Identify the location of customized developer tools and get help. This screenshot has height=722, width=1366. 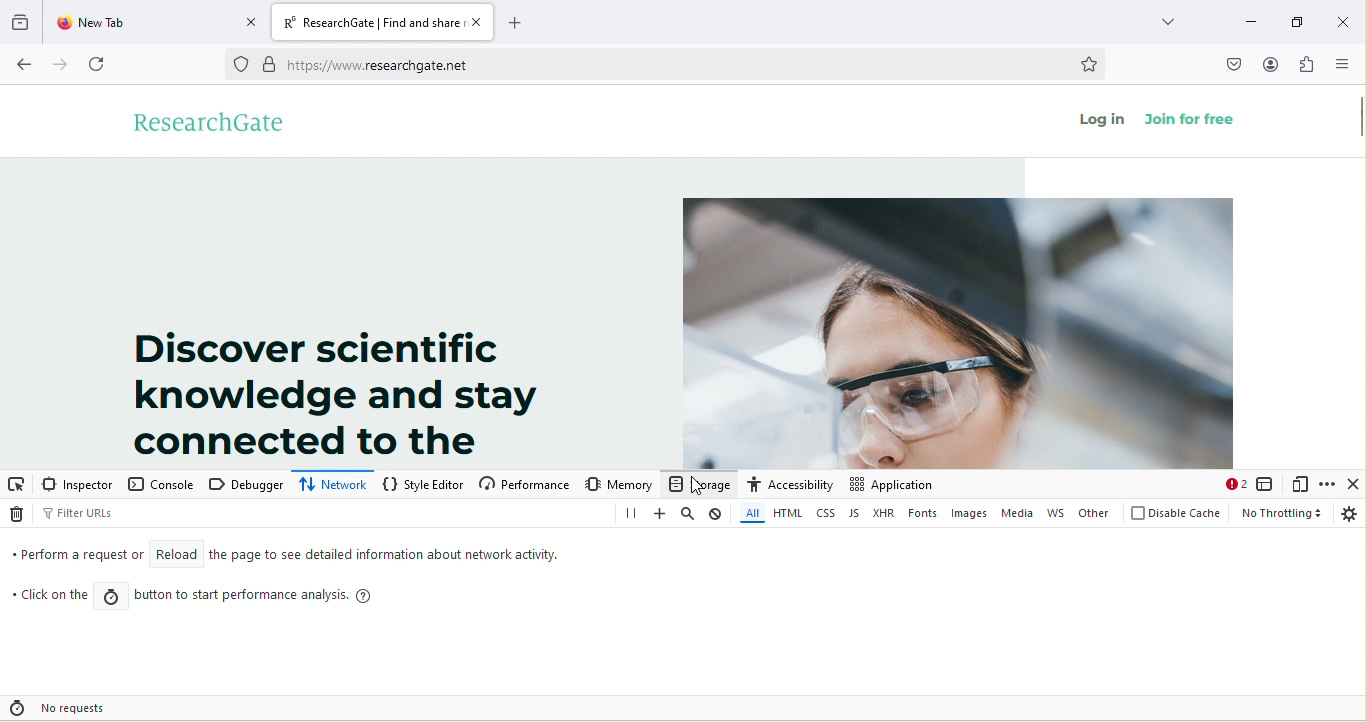
(1327, 485).